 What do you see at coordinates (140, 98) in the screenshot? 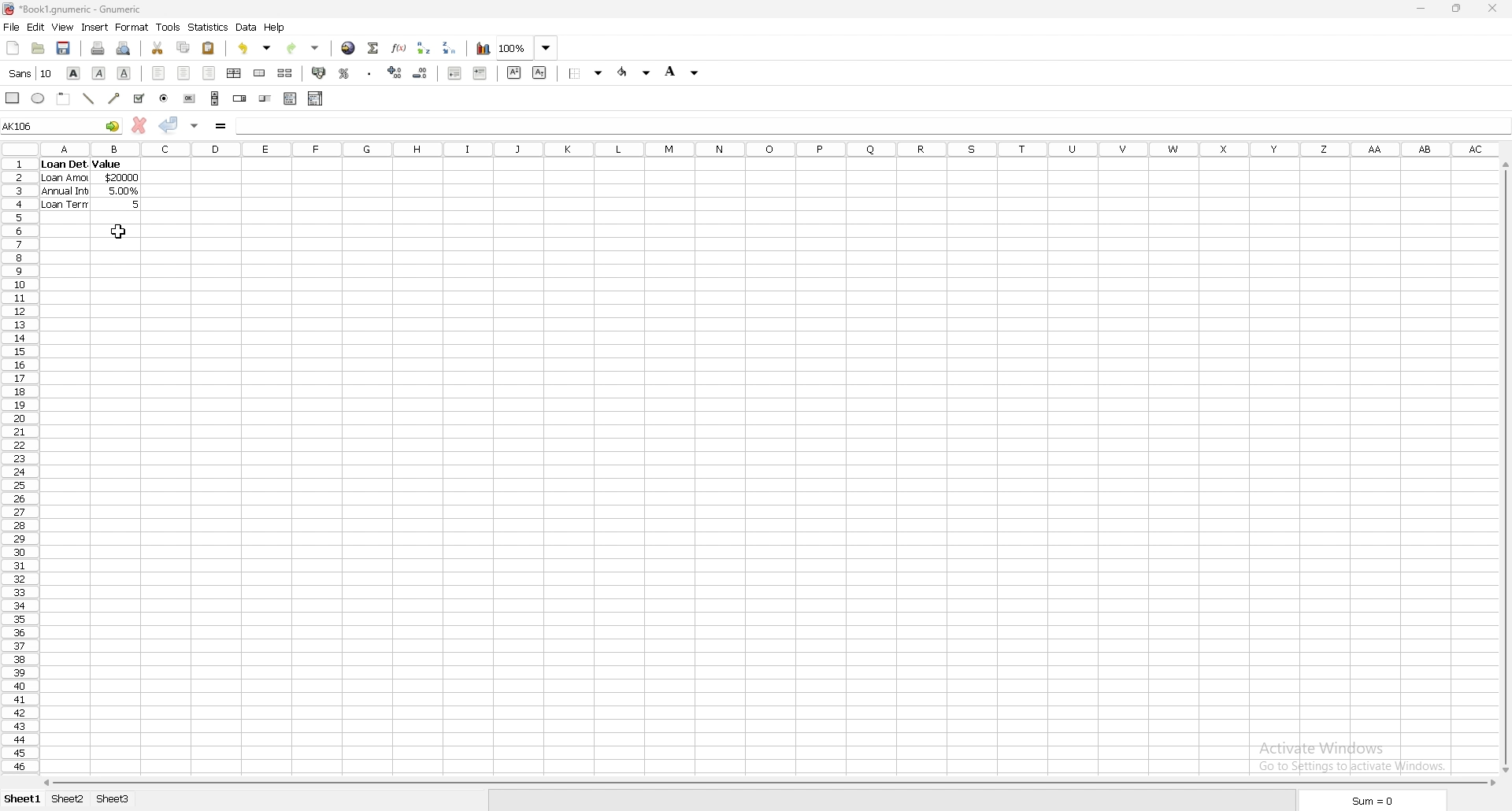
I see `tickbox` at bounding box center [140, 98].